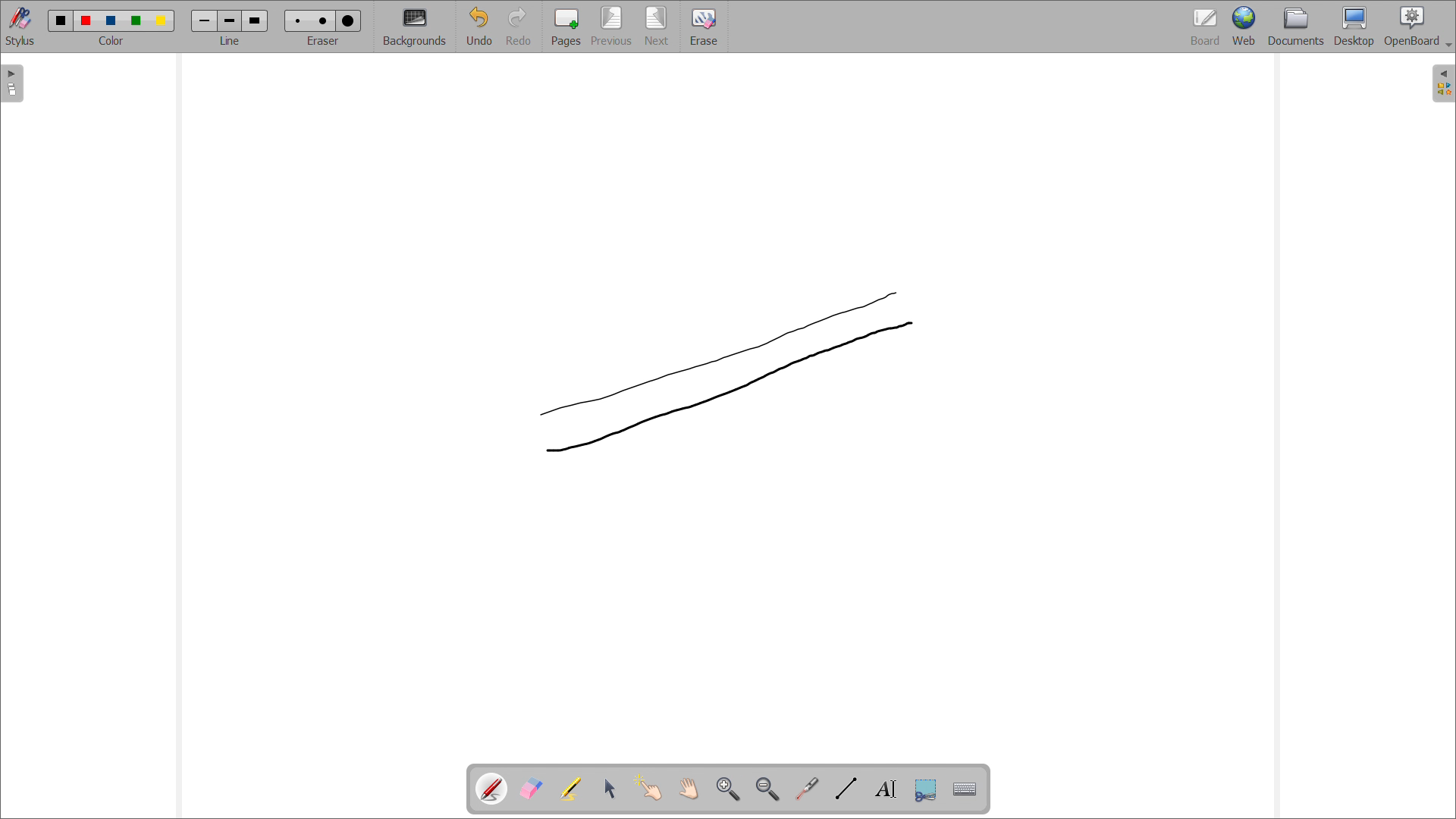  Describe the element at coordinates (566, 27) in the screenshot. I see `add pages` at that location.